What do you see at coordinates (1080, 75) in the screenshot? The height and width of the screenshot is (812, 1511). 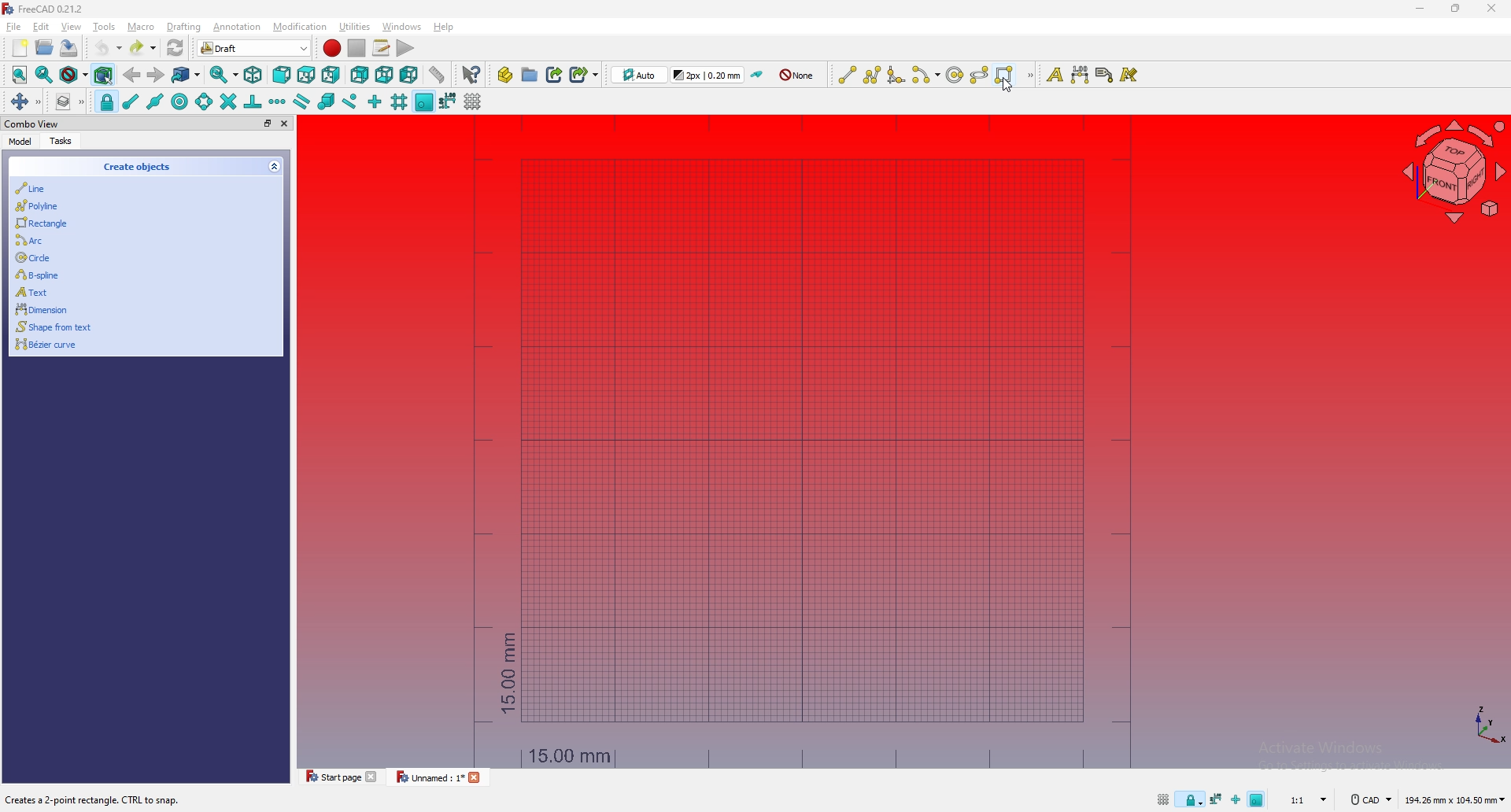 I see `dimension` at bounding box center [1080, 75].